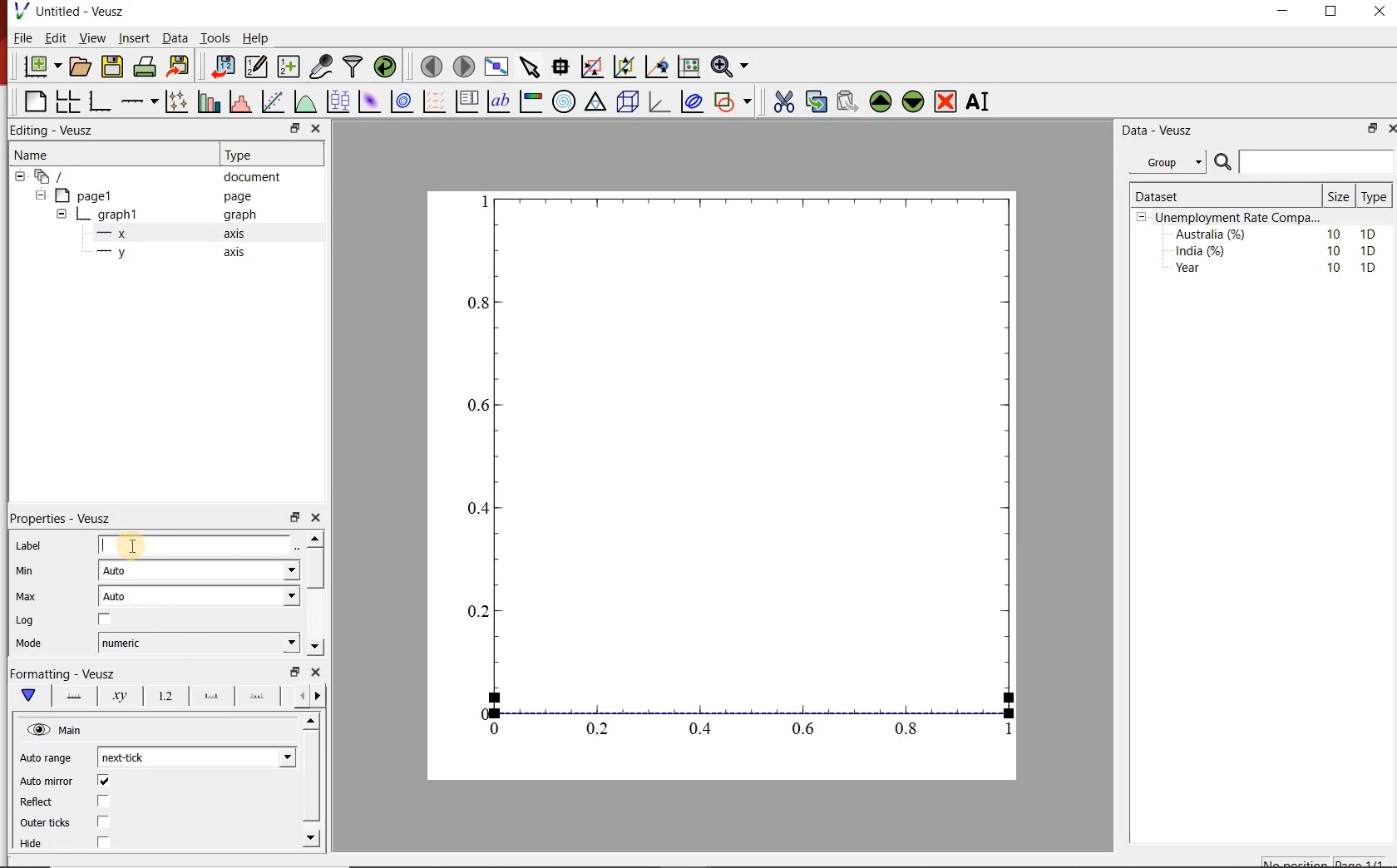  Describe the element at coordinates (1392, 127) in the screenshot. I see `close` at that location.